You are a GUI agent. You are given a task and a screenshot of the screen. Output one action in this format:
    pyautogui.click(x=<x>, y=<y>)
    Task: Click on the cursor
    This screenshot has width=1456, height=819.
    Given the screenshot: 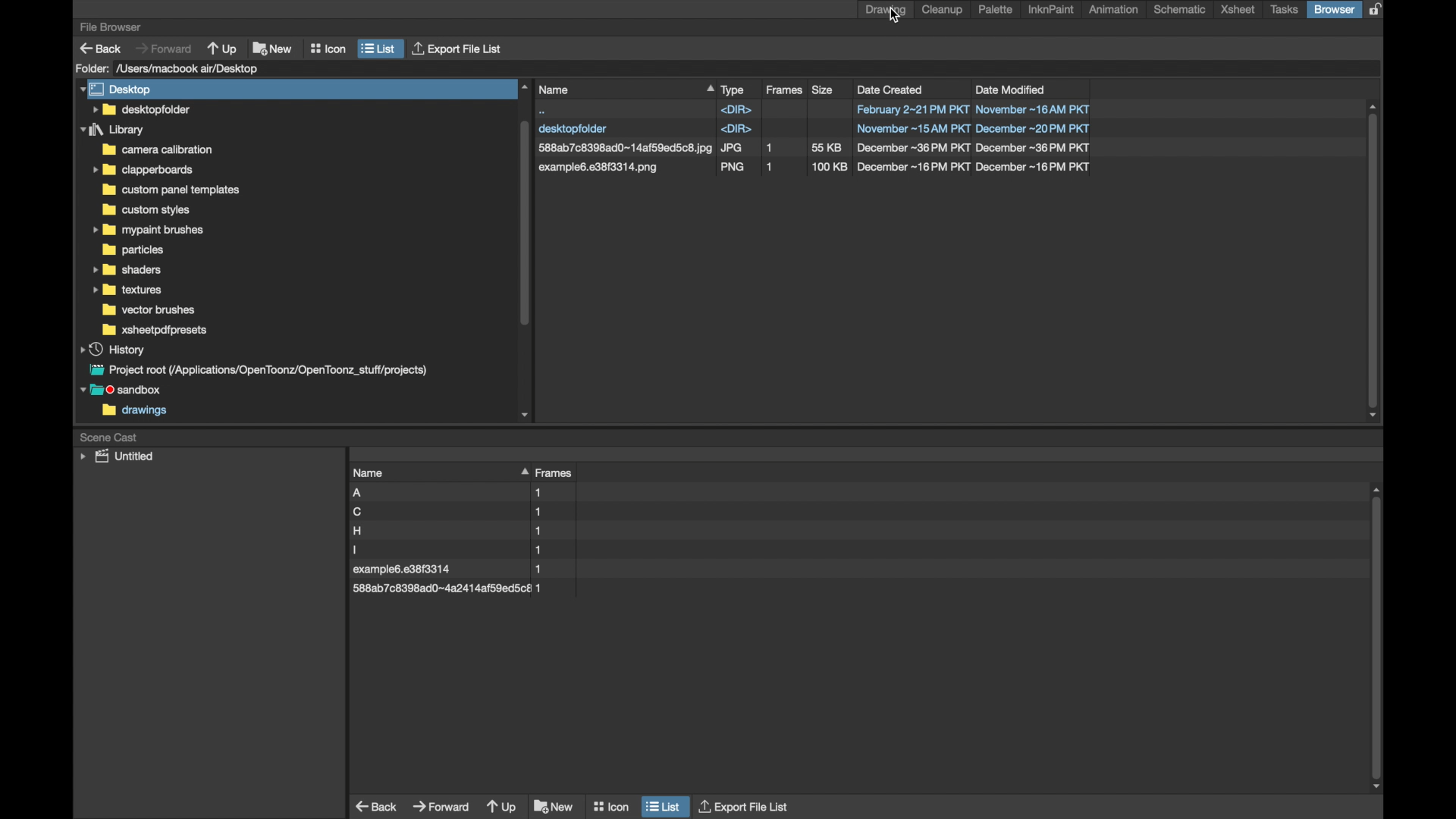 What is the action you would take?
    pyautogui.click(x=896, y=17)
    